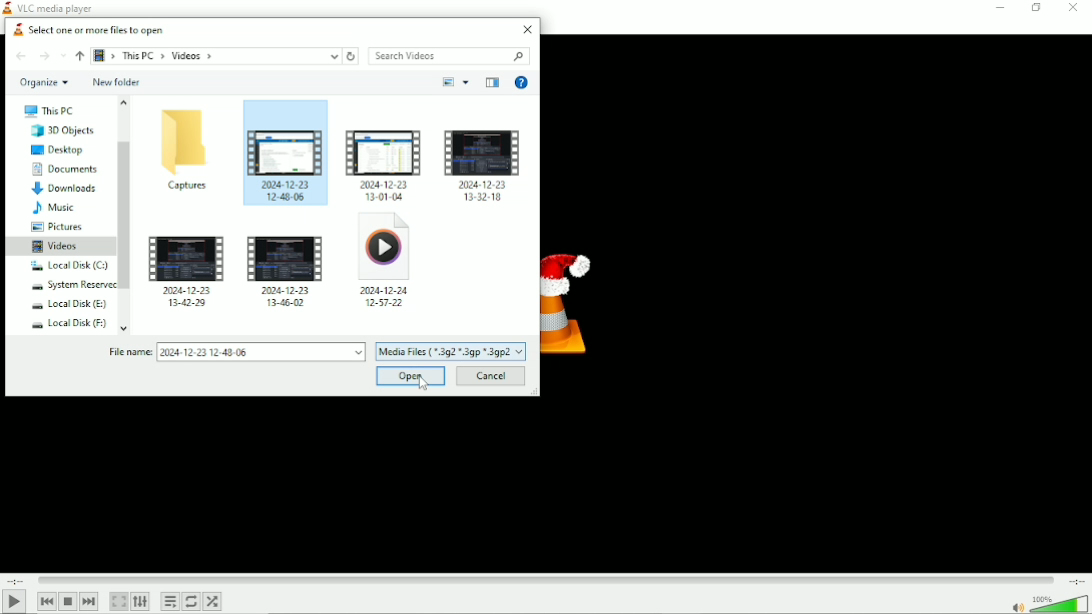 The image size is (1092, 614). I want to click on Toggle the video in fullscreen, so click(118, 601).